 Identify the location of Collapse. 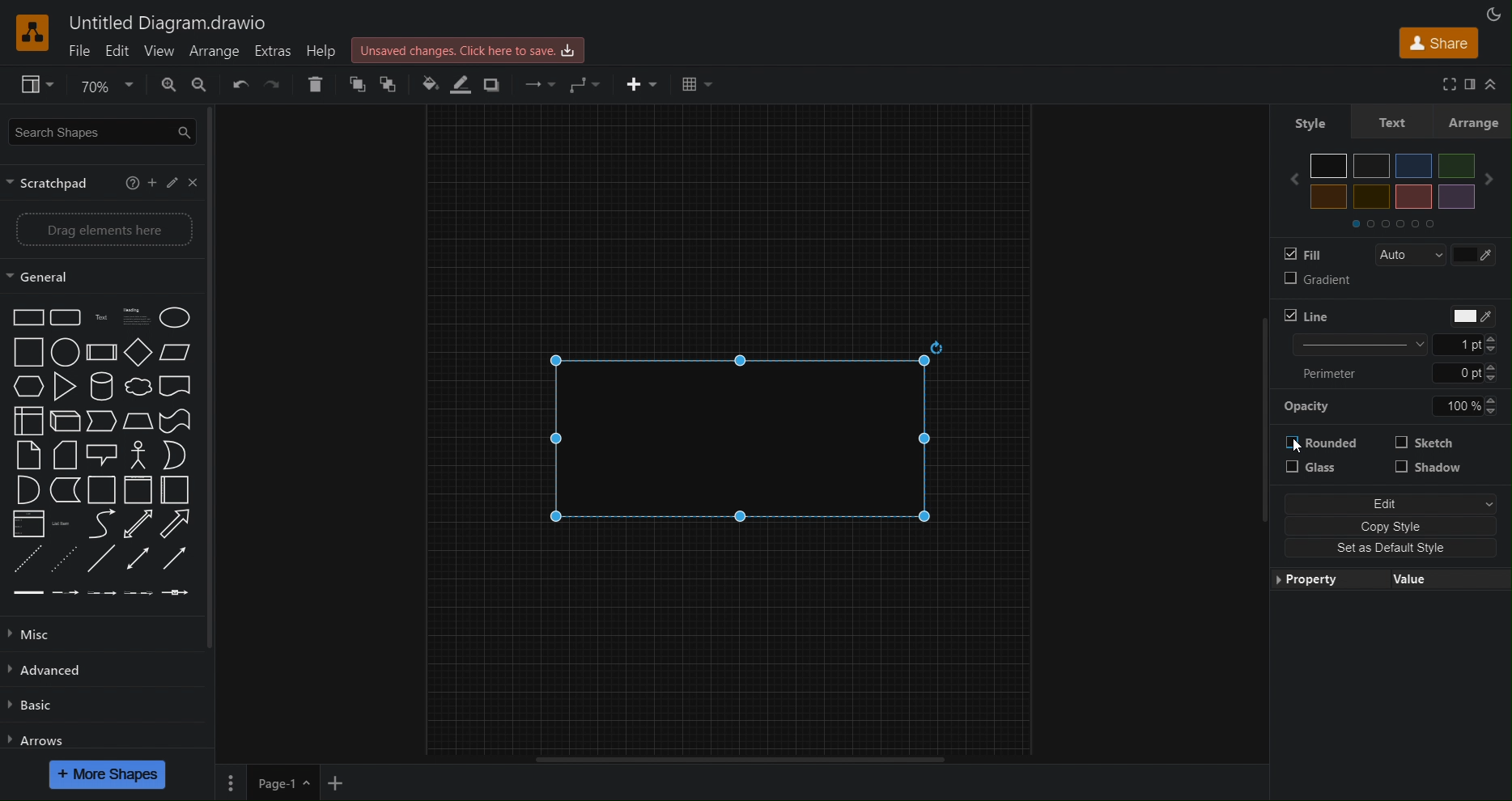
(1495, 85).